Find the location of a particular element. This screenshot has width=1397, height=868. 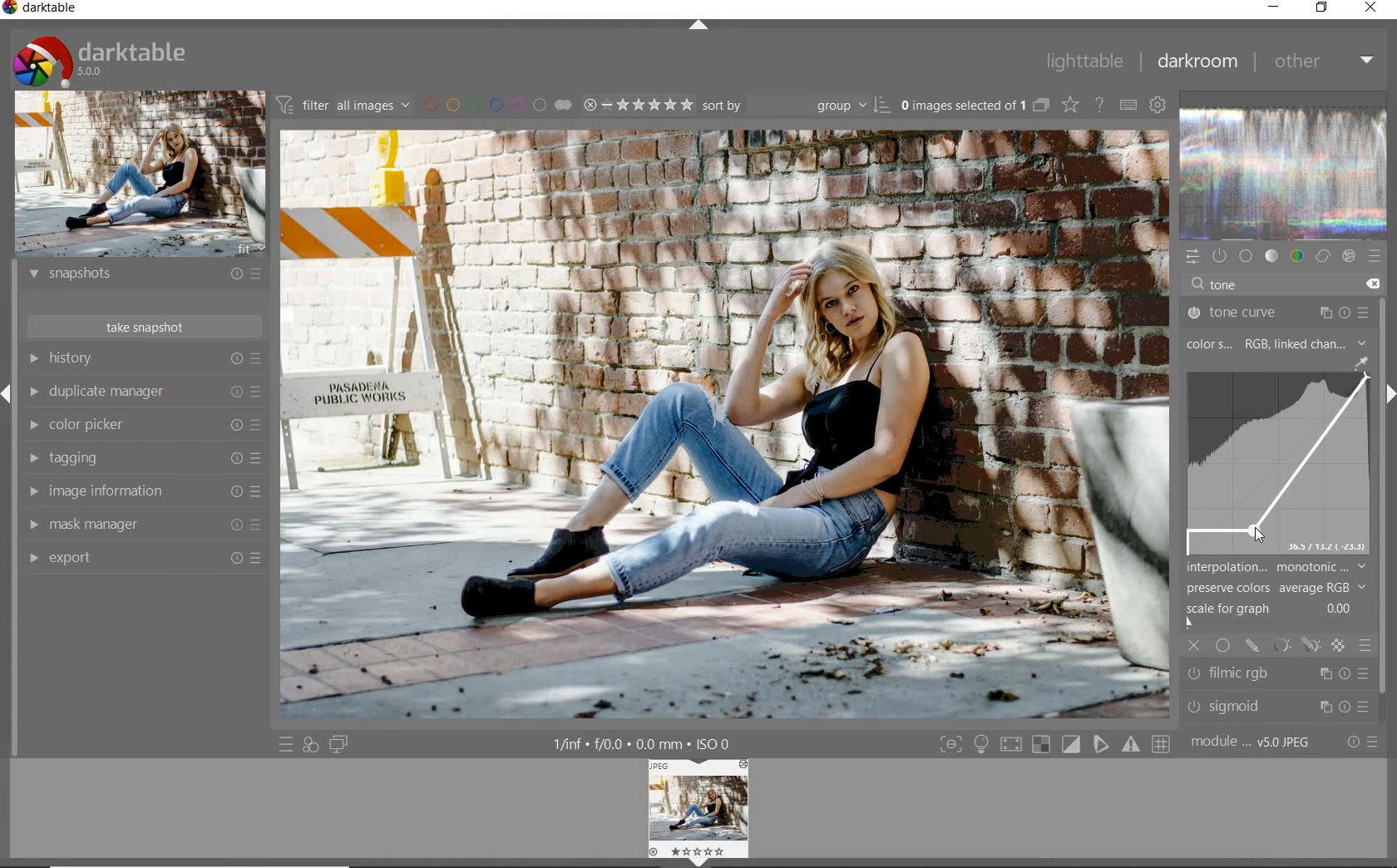

pick gui color from image is located at coordinates (1360, 362).